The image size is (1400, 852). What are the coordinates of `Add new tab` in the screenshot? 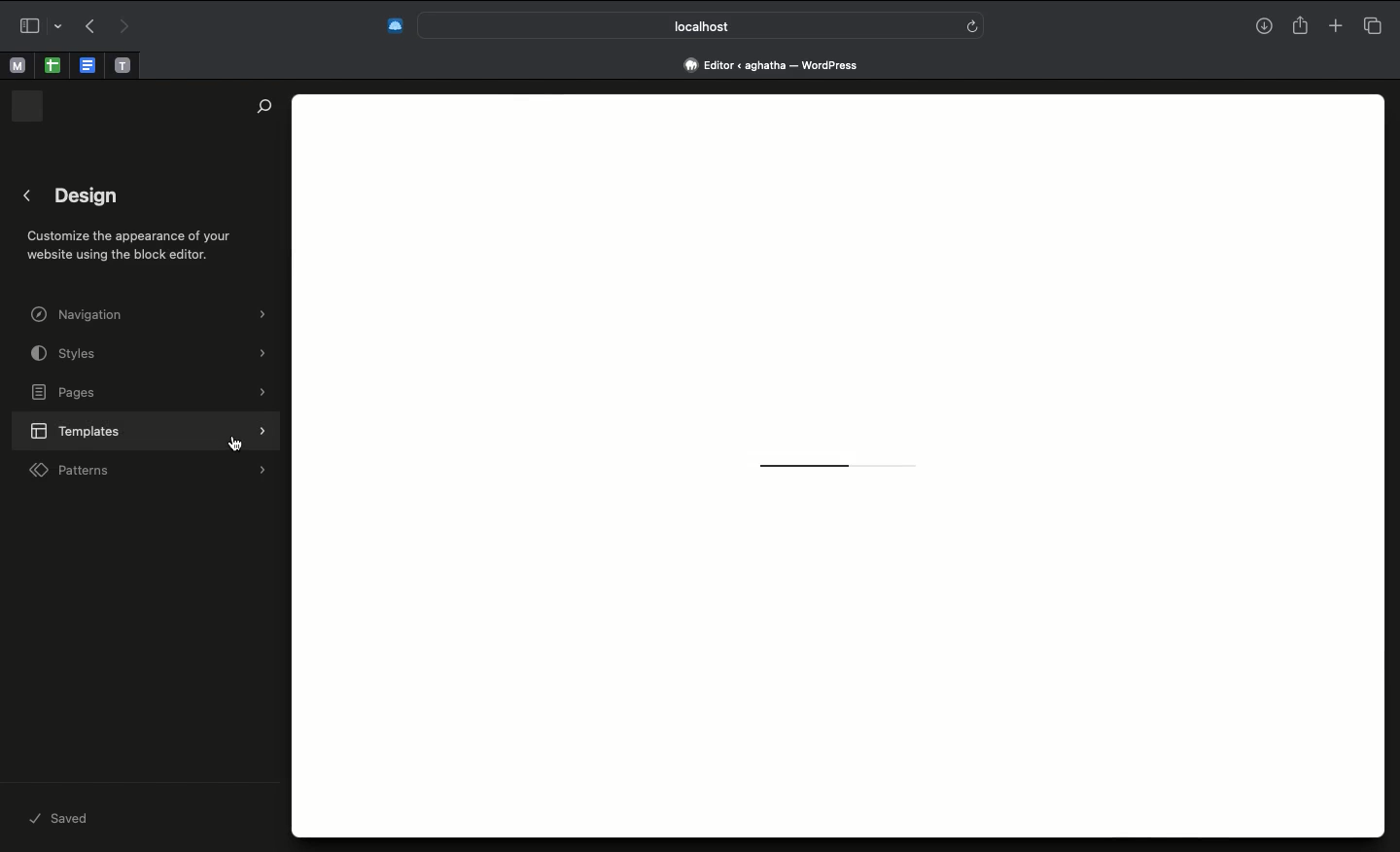 It's located at (1335, 22).